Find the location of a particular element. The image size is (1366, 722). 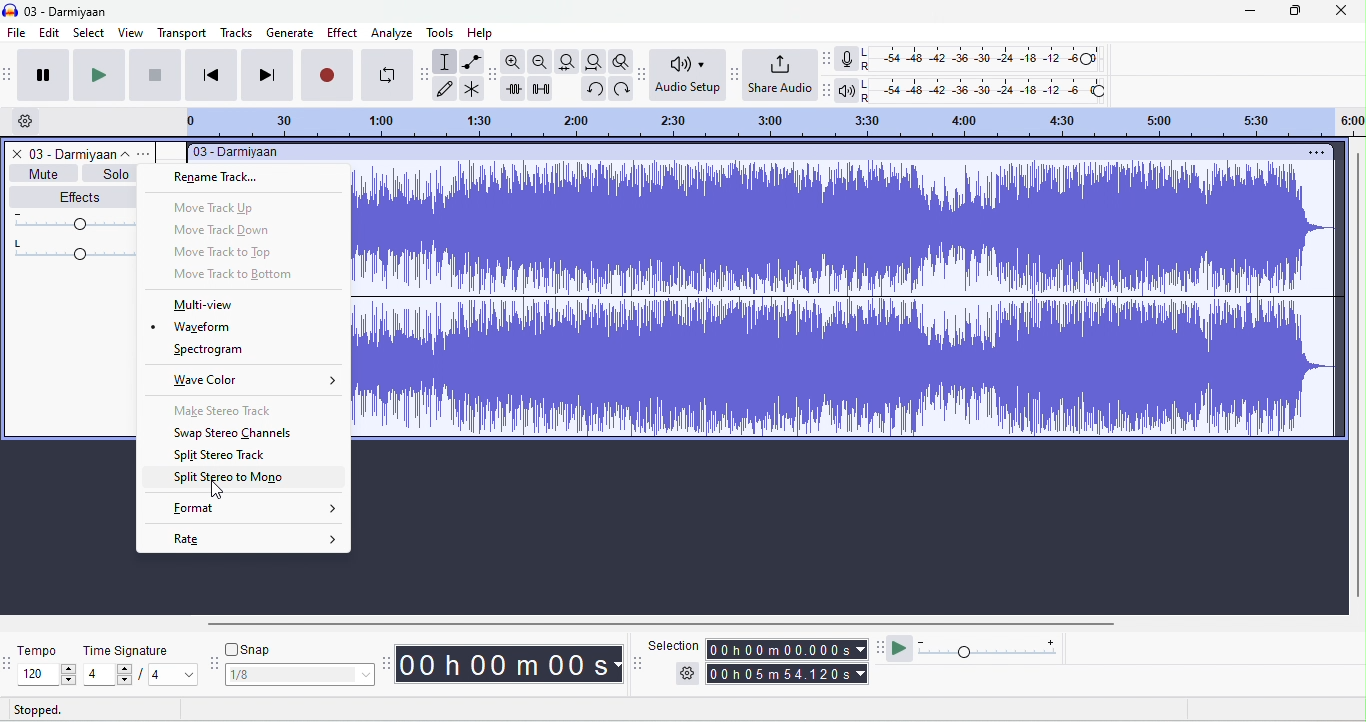

selection options is located at coordinates (687, 672).